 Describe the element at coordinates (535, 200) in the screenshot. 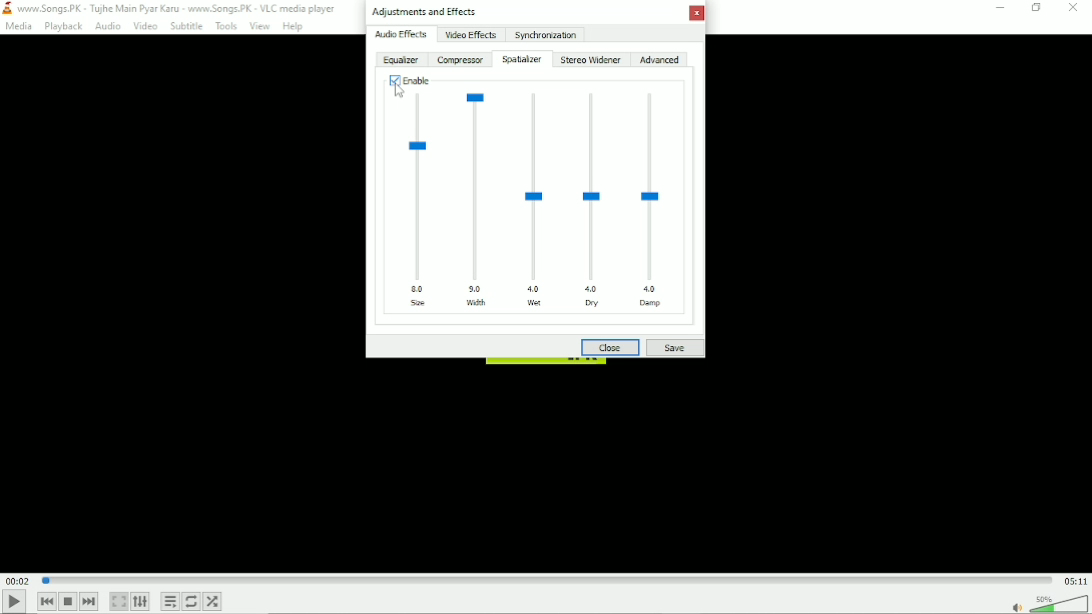

I see `Wet` at that location.